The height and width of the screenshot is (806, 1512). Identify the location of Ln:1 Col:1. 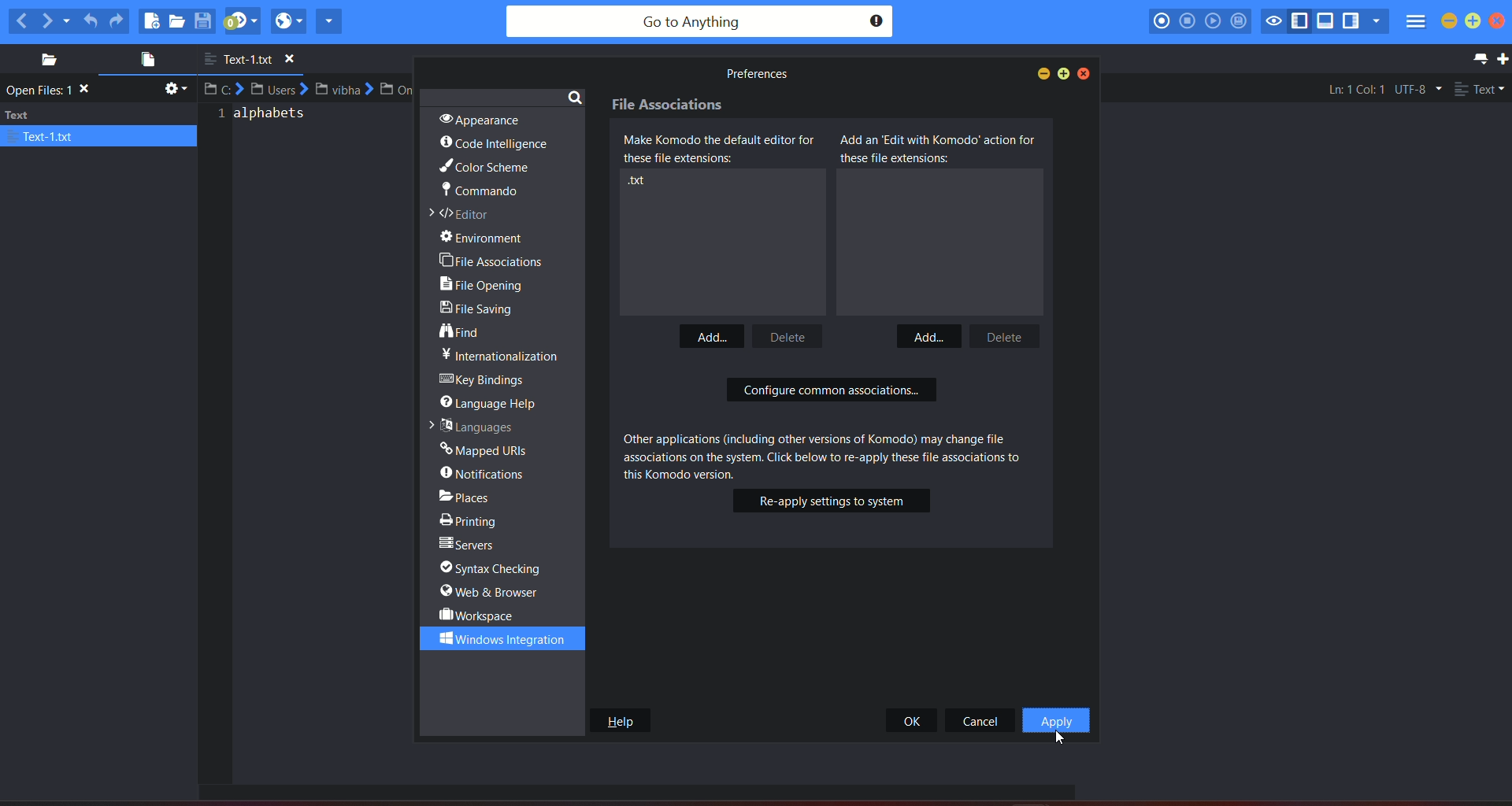
(1351, 89).